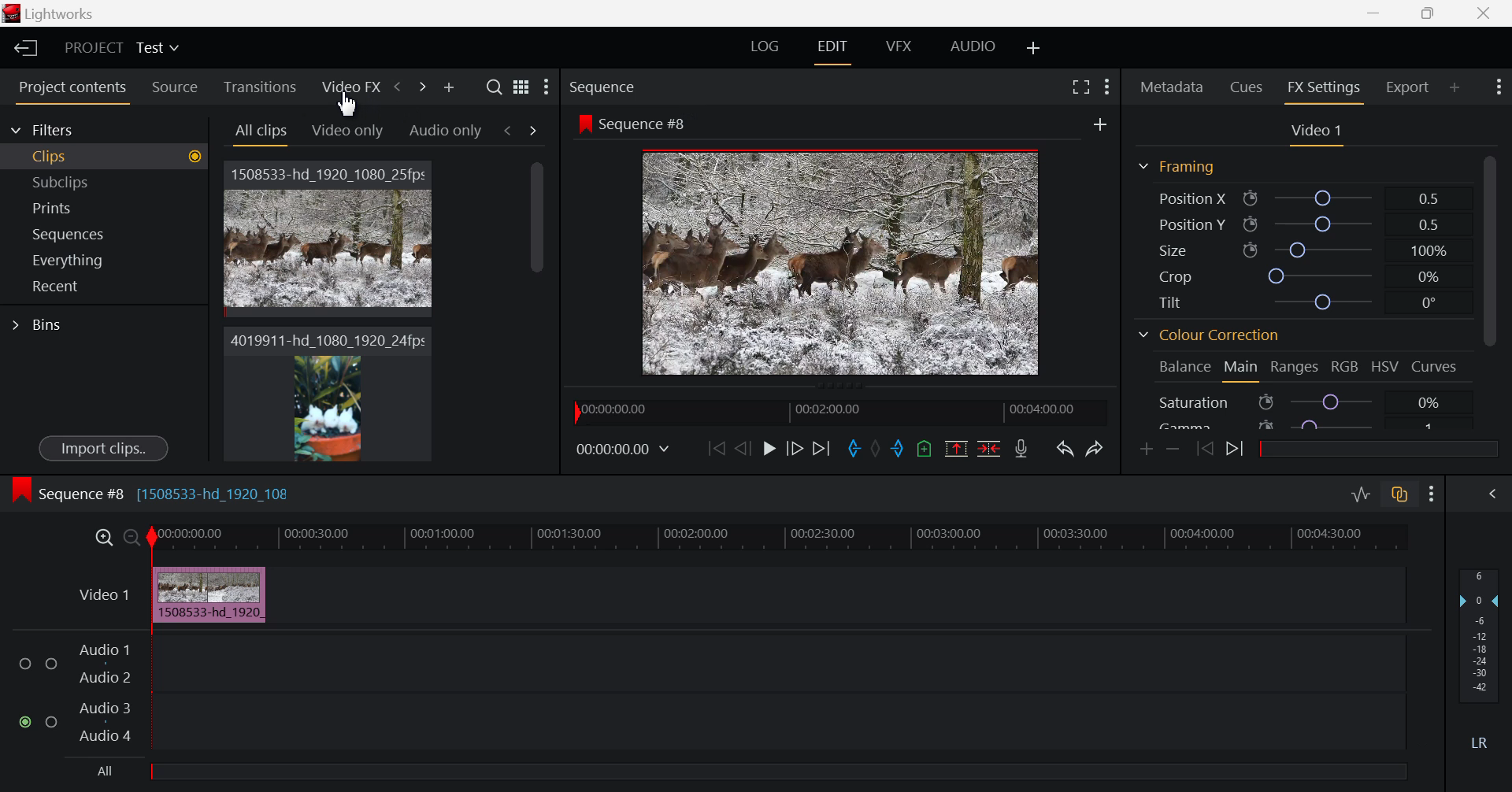  I want to click on All Clips Tab Open, so click(260, 132).